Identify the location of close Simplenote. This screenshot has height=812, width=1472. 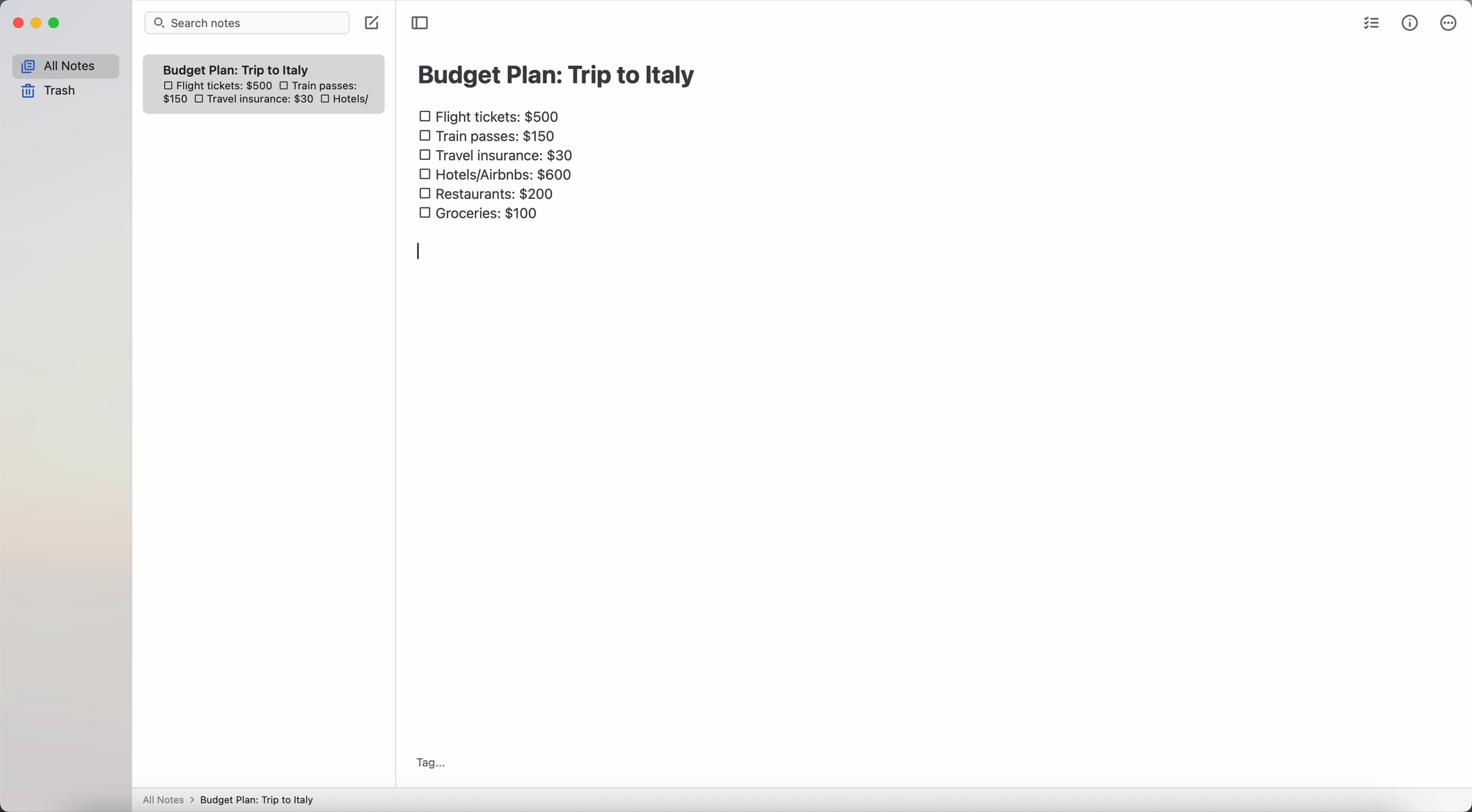
(18, 23).